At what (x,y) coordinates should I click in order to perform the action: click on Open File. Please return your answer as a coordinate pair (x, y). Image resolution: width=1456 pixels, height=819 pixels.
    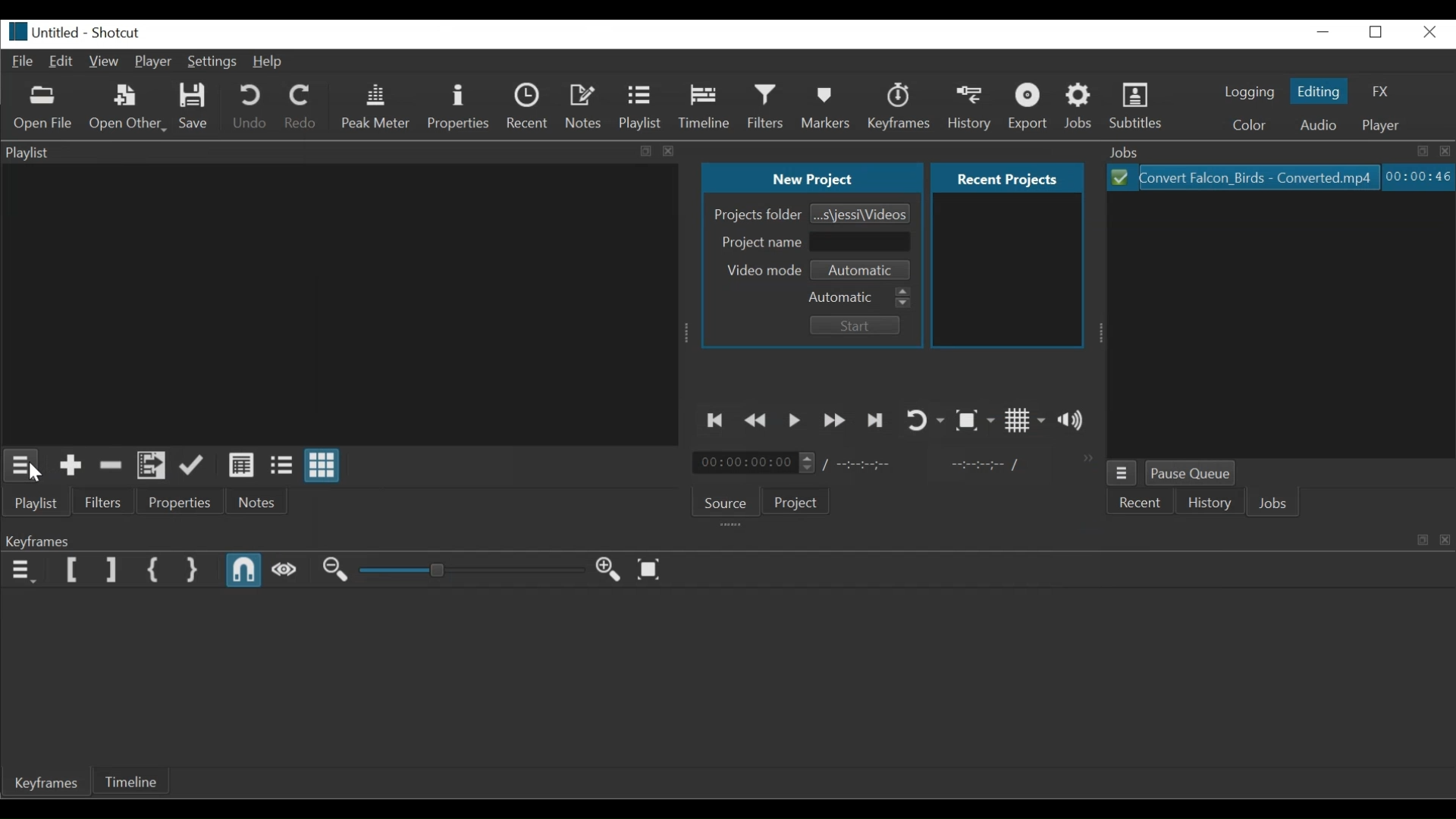
    Looking at the image, I should click on (44, 108).